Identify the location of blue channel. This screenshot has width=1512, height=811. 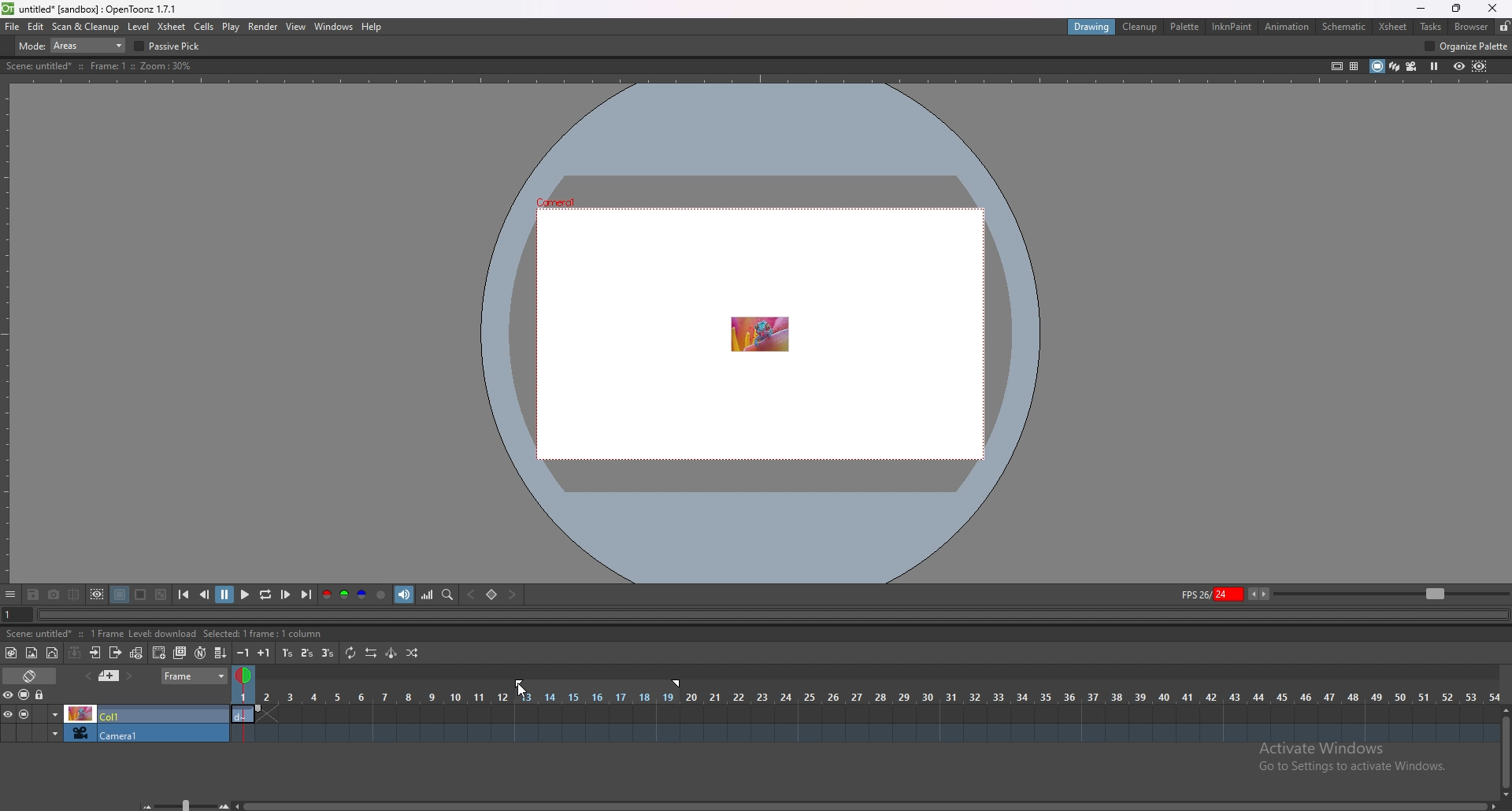
(362, 594).